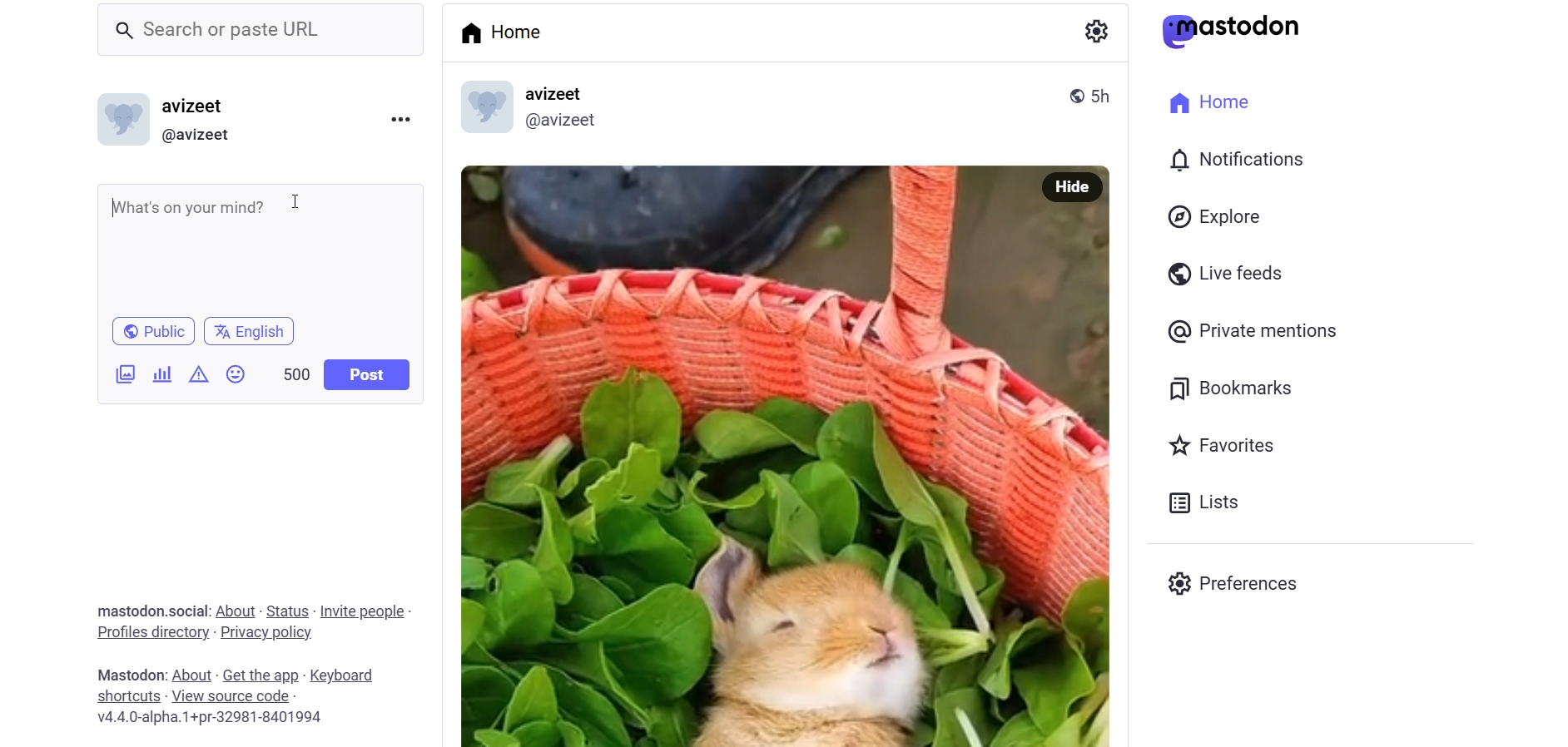  Describe the element at coordinates (231, 696) in the screenshot. I see `source code` at that location.